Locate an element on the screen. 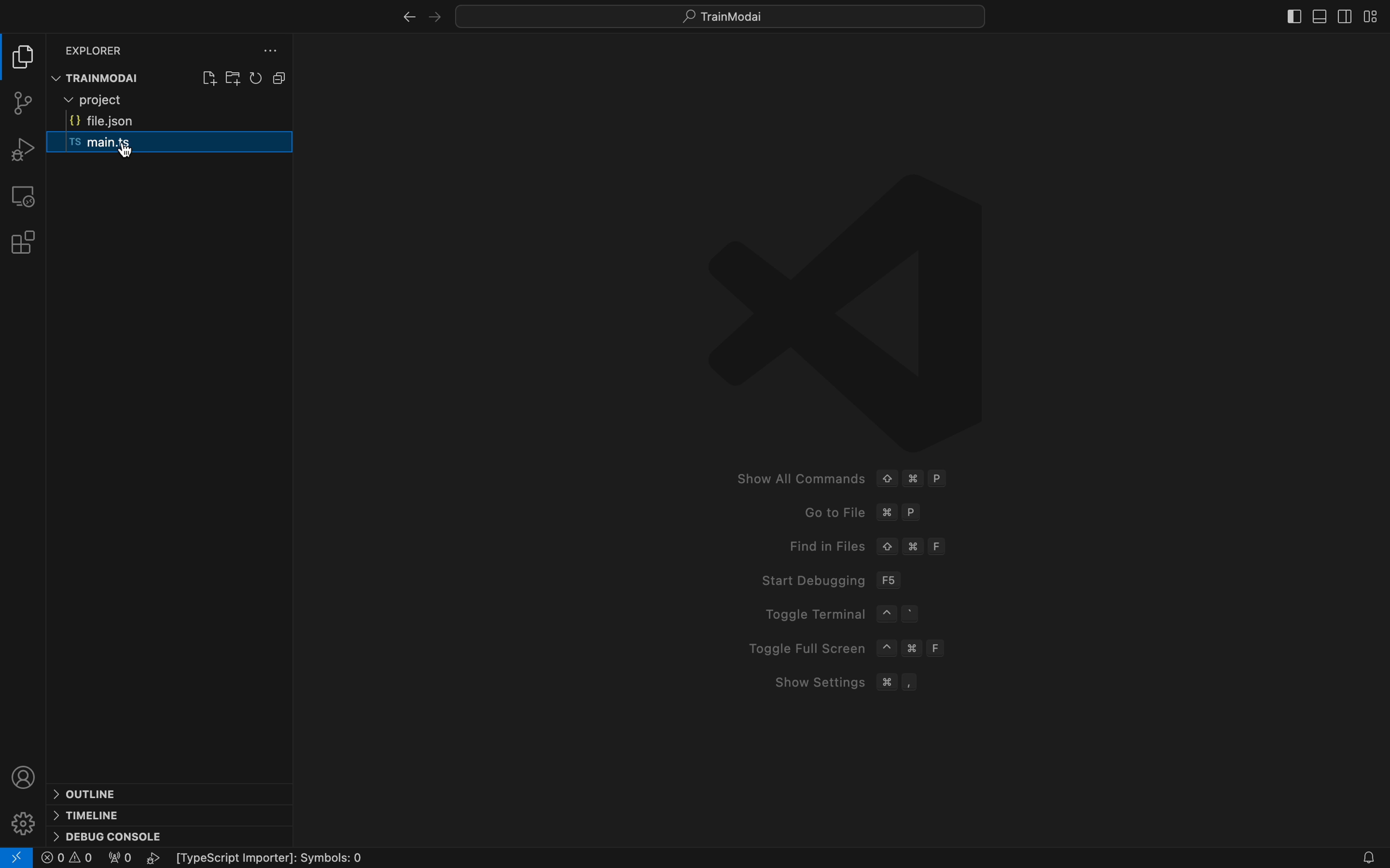 The height and width of the screenshot is (868, 1390). create folder is located at coordinates (235, 80).